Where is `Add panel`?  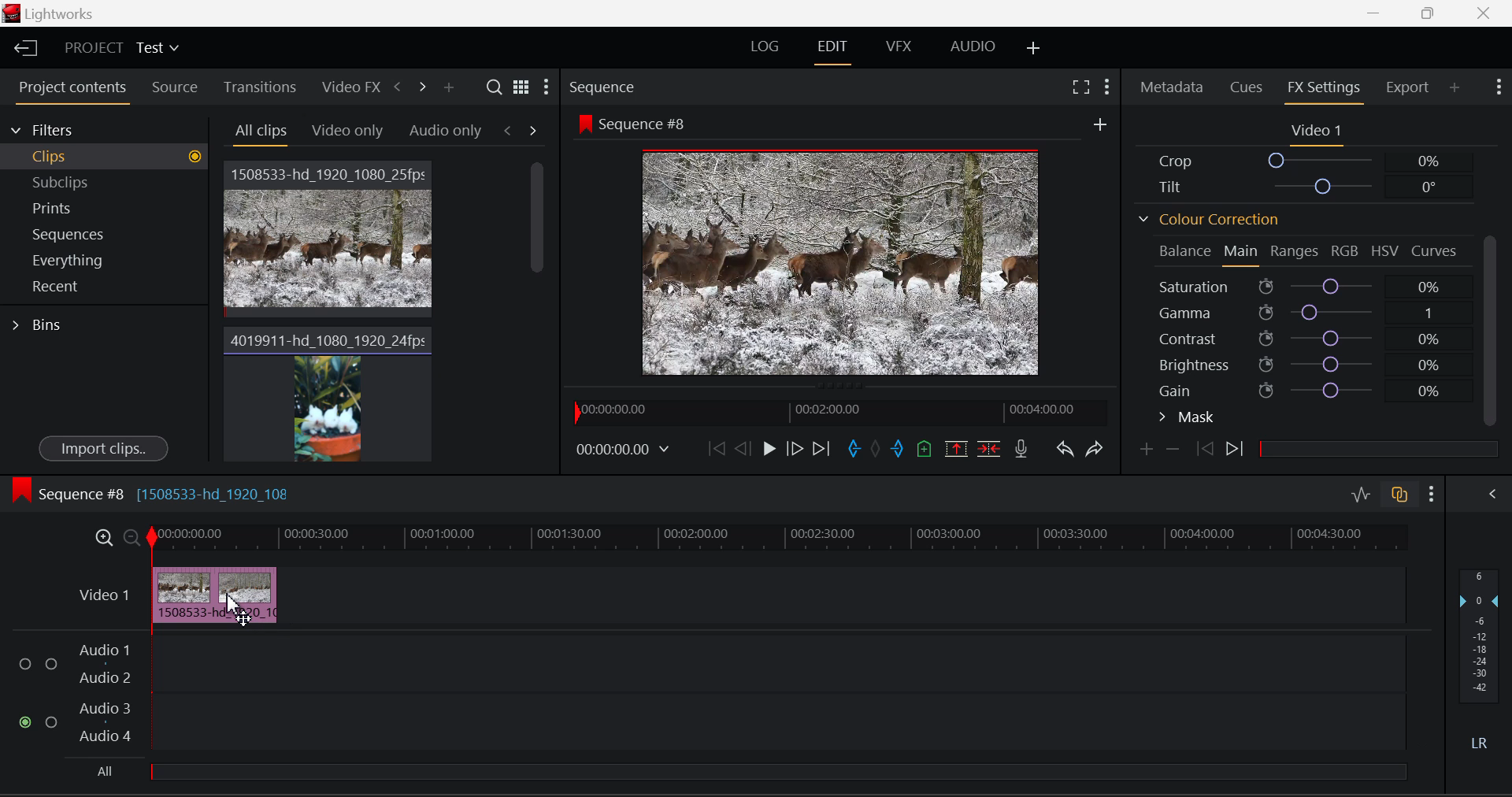
Add panel is located at coordinates (451, 88).